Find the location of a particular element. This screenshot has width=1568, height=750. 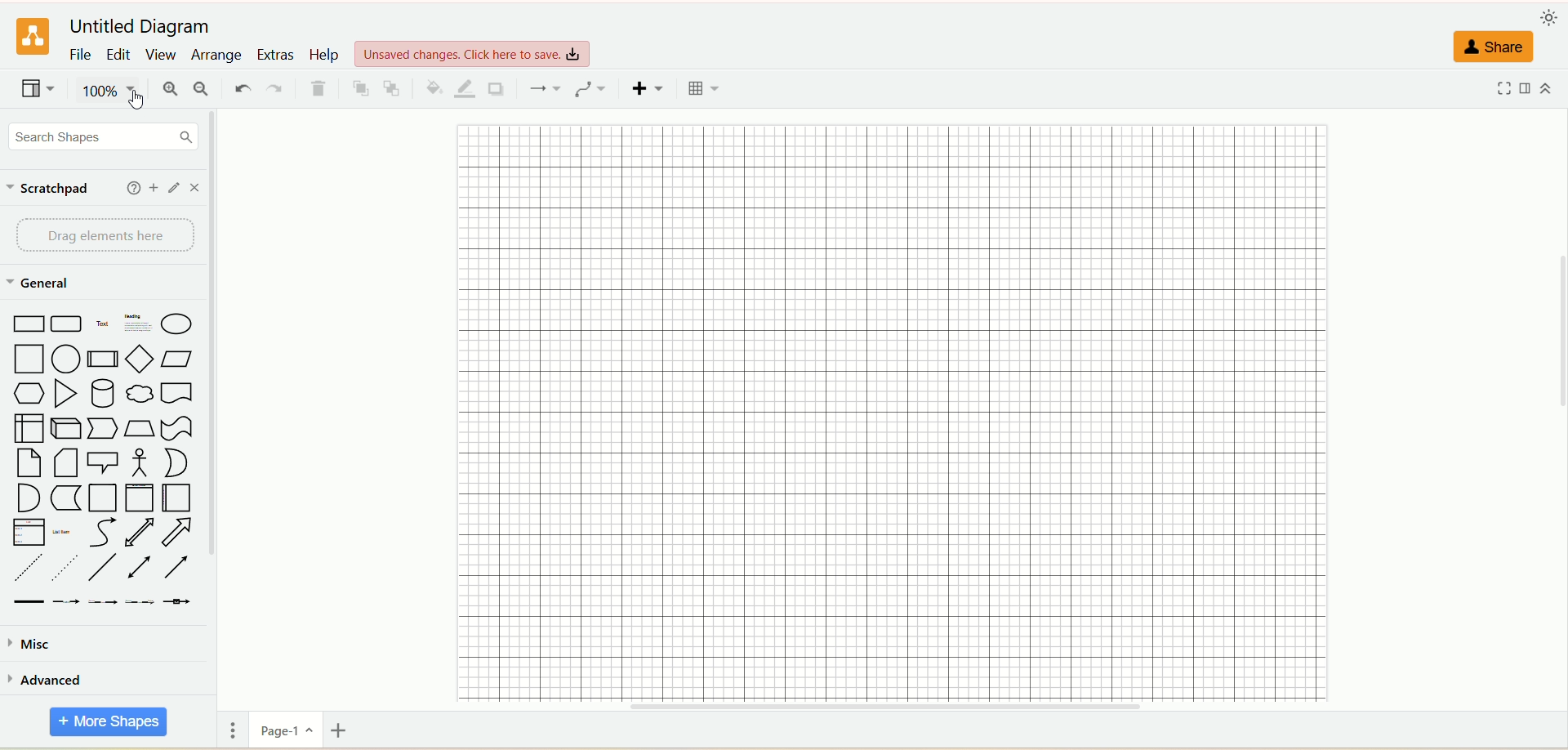

insert is located at coordinates (650, 88).